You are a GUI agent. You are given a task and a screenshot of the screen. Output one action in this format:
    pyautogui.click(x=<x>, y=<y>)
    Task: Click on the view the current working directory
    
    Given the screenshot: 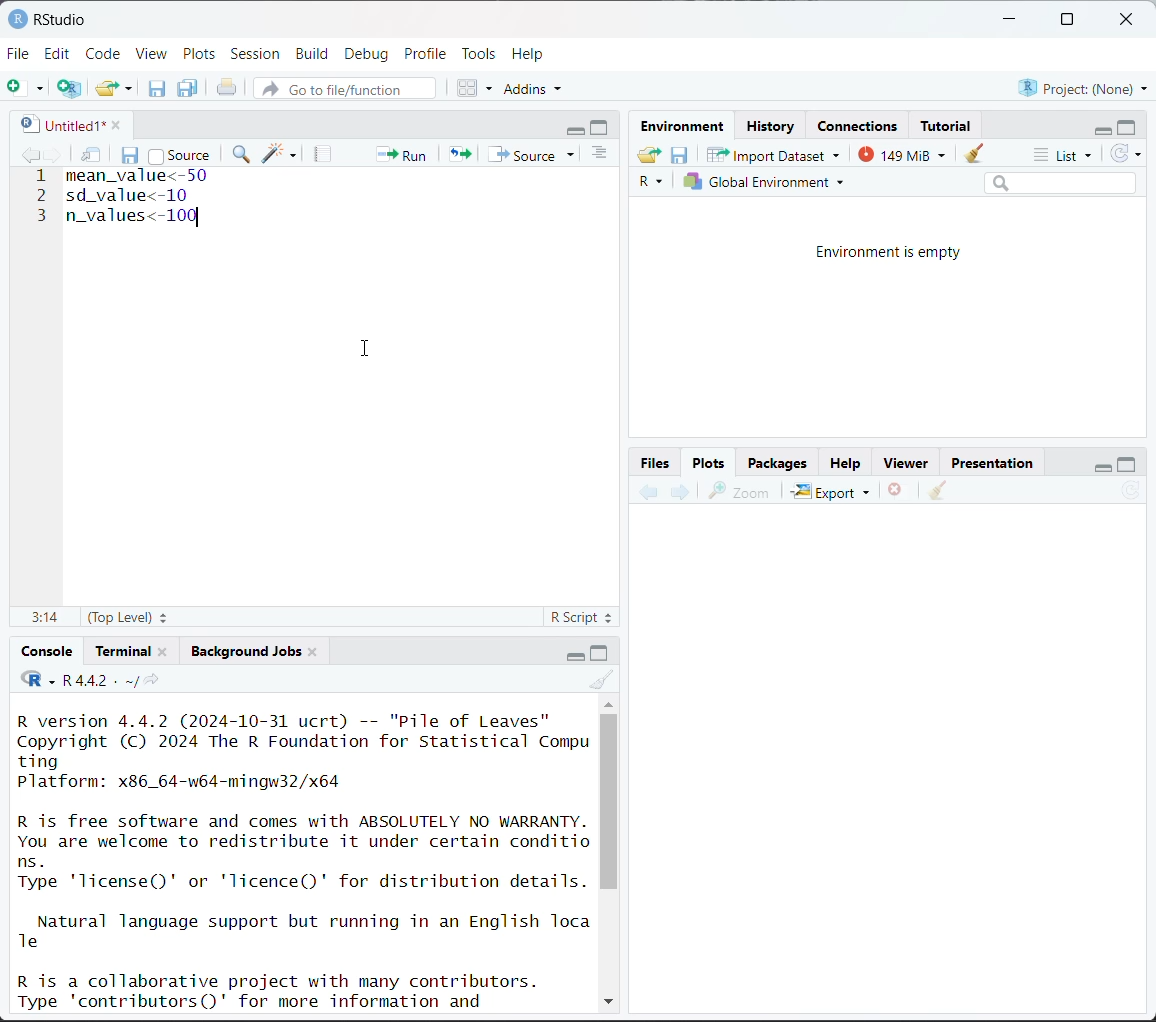 What is the action you would take?
    pyautogui.click(x=151, y=680)
    